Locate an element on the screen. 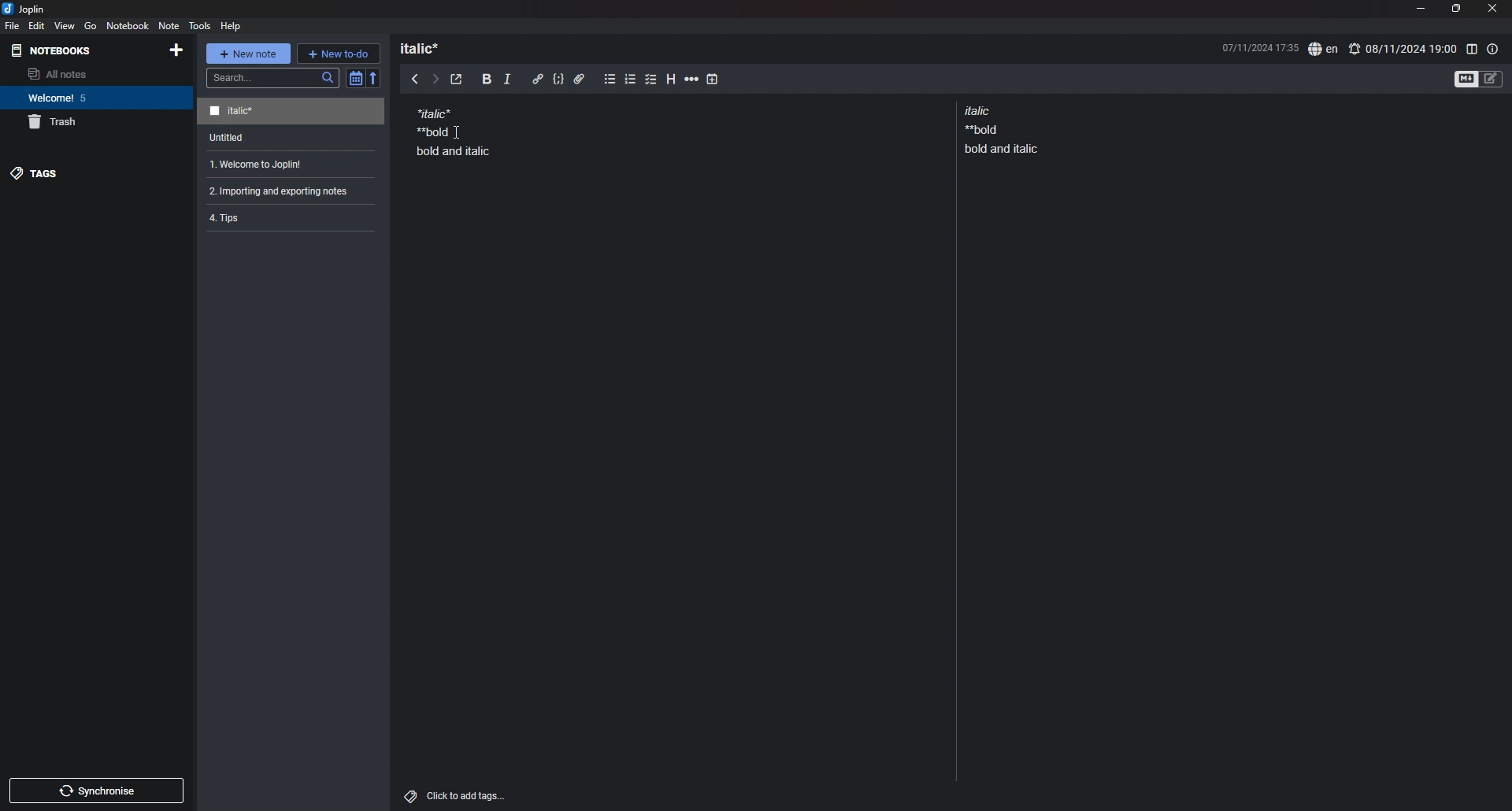  previous is located at coordinates (415, 78).